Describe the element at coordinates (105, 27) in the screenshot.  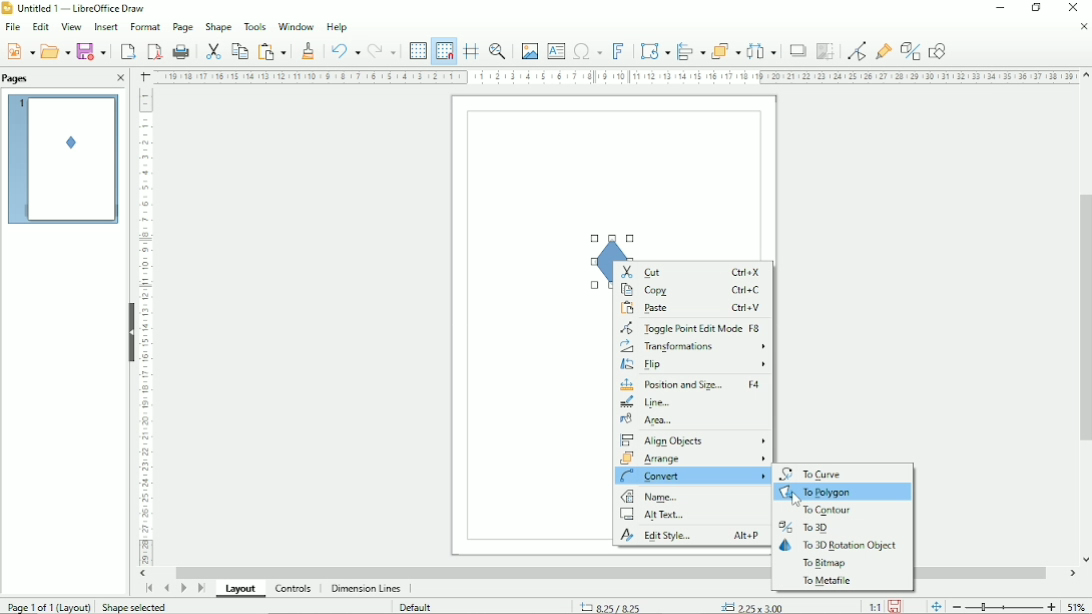
I see `Insert` at that location.